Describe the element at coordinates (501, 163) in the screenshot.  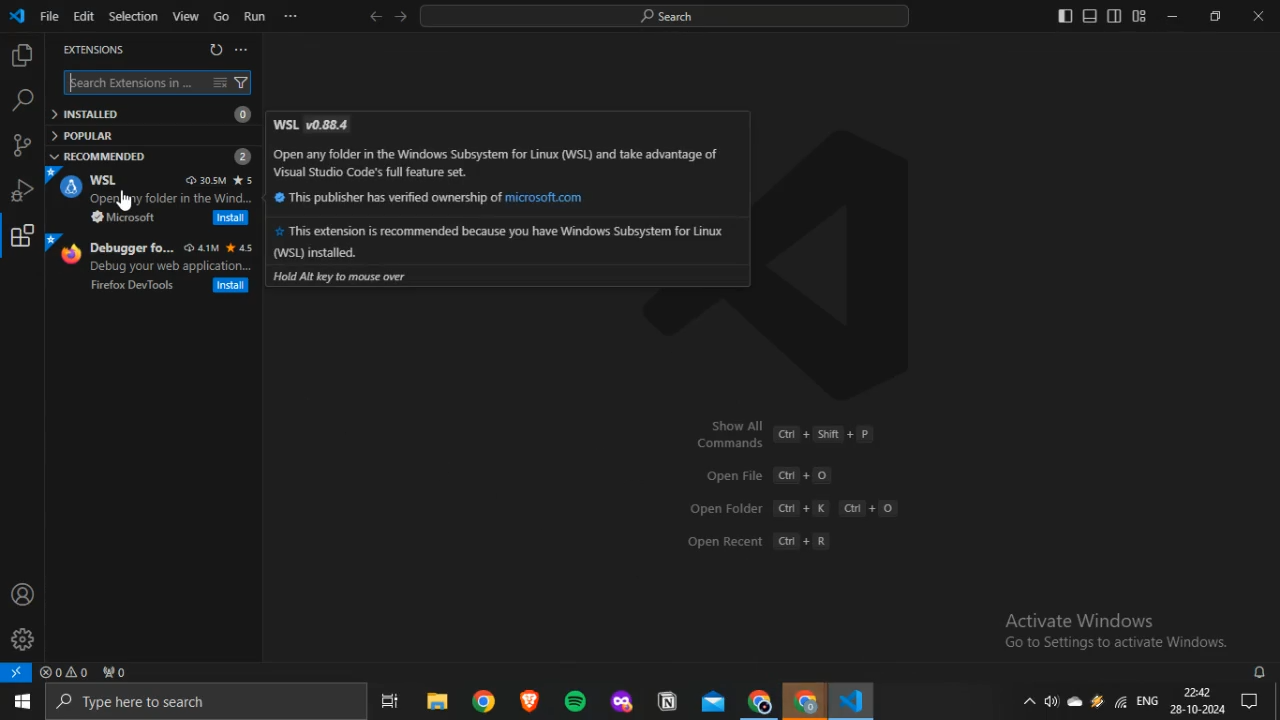
I see `Open any folder in the Windows Subsystem for Linux (WSL) and take advantage of
Visual Studio Code’s full feature set.` at that location.